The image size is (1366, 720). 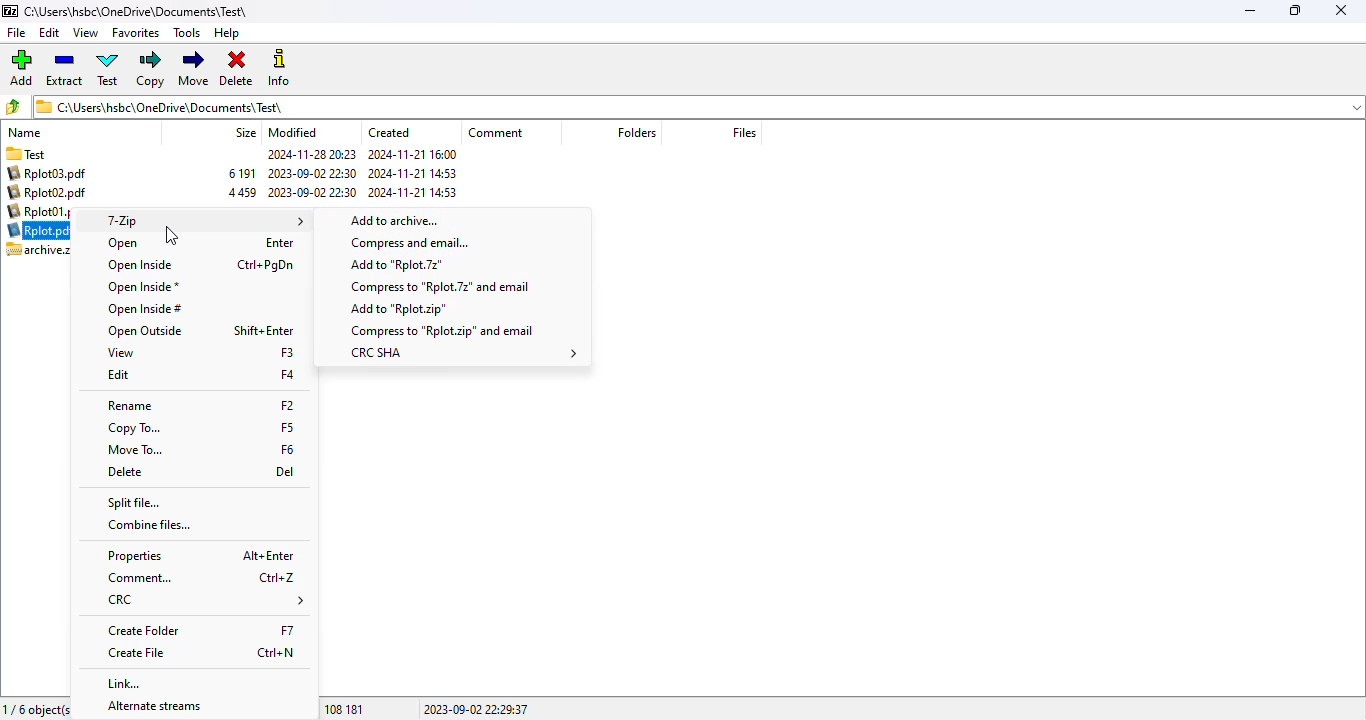 I want to click on close, so click(x=1343, y=11).